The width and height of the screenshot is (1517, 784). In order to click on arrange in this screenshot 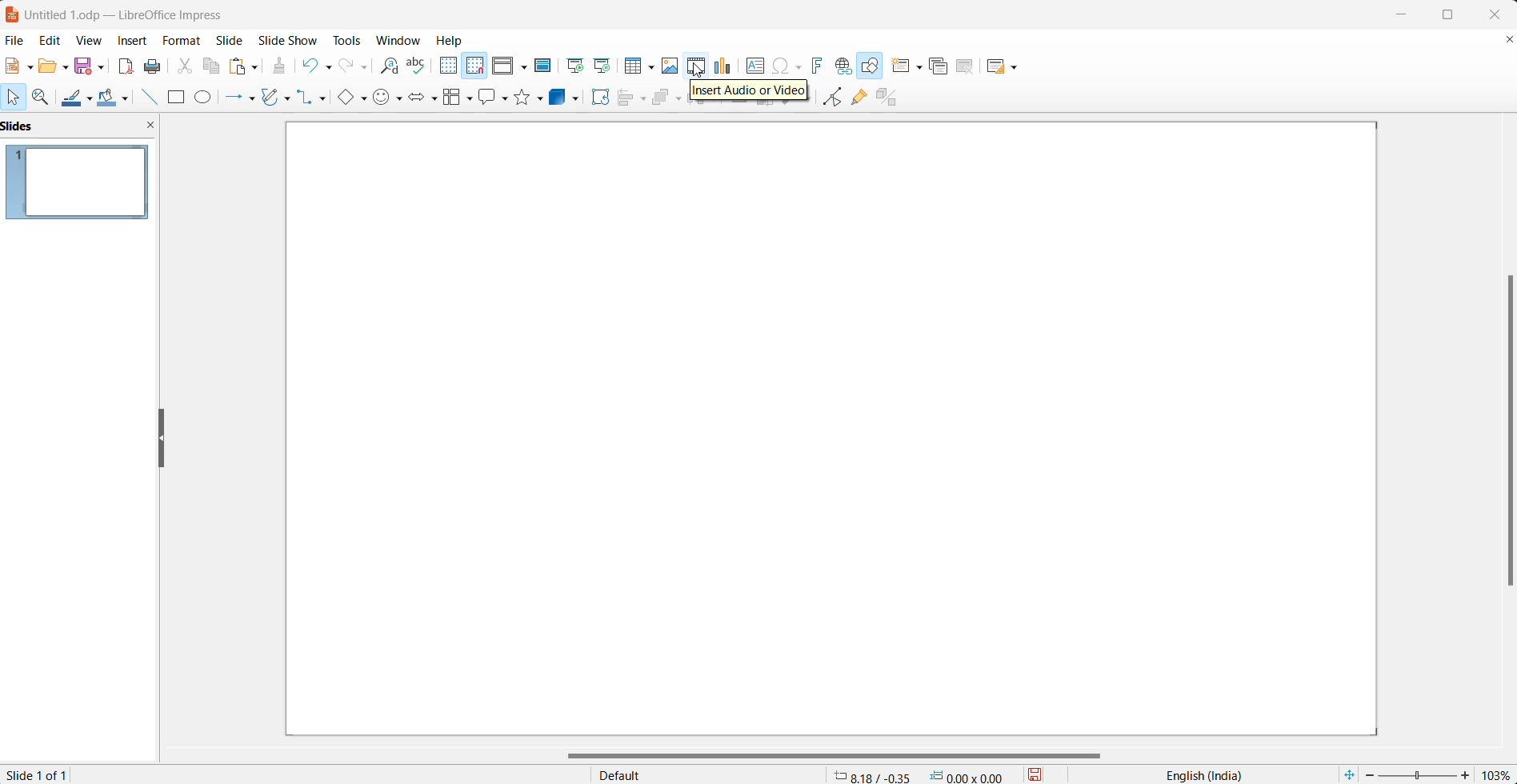, I will do `click(664, 100)`.